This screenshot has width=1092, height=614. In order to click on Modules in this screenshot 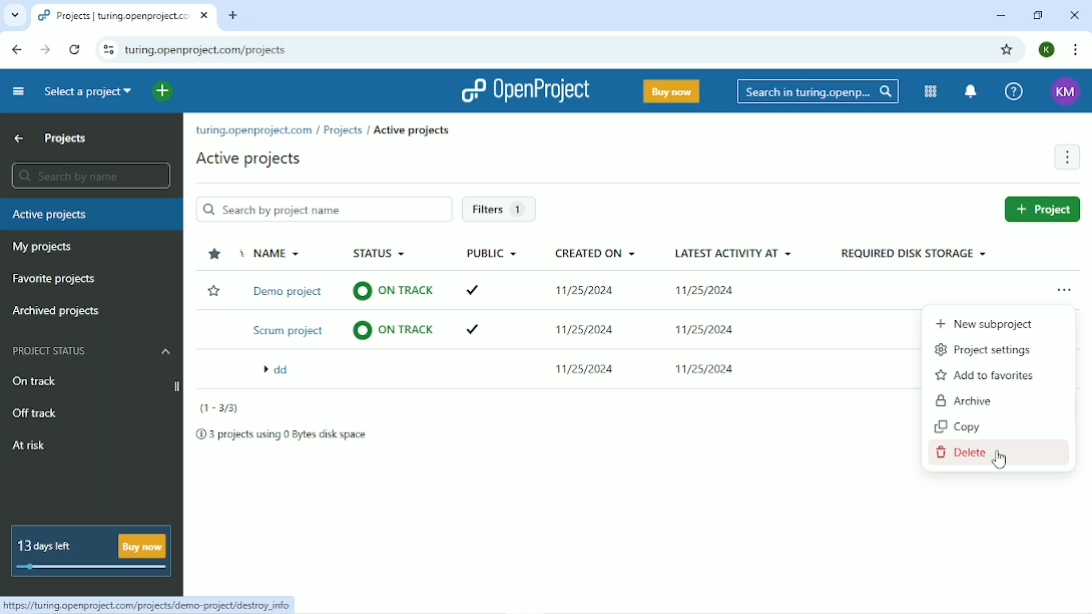, I will do `click(931, 91)`.